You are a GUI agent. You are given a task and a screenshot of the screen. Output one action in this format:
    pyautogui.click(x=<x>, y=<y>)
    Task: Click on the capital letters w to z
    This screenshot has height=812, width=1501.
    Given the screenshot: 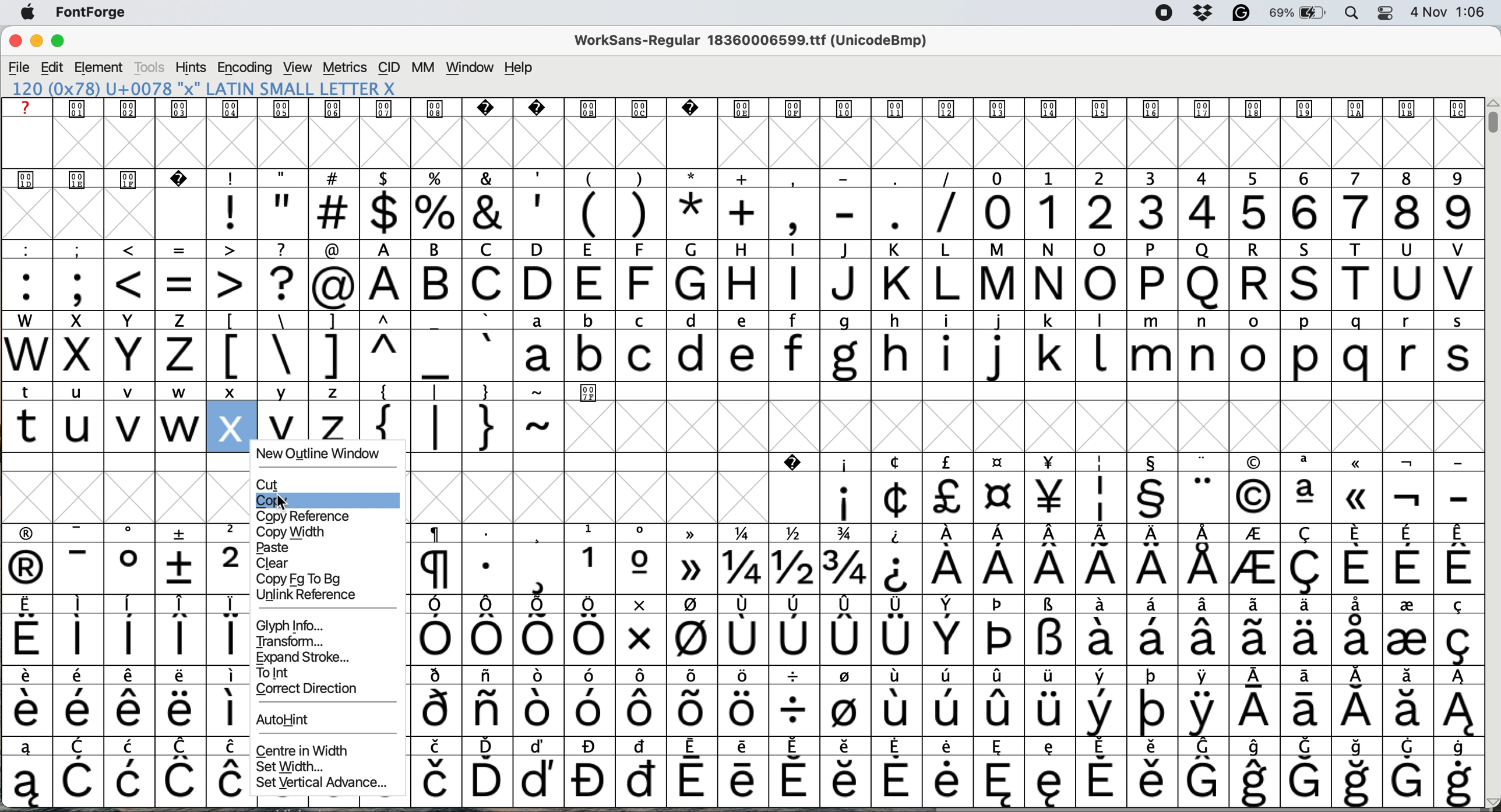 What is the action you would take?
    pyautogui.click(x=100, y=357)
    